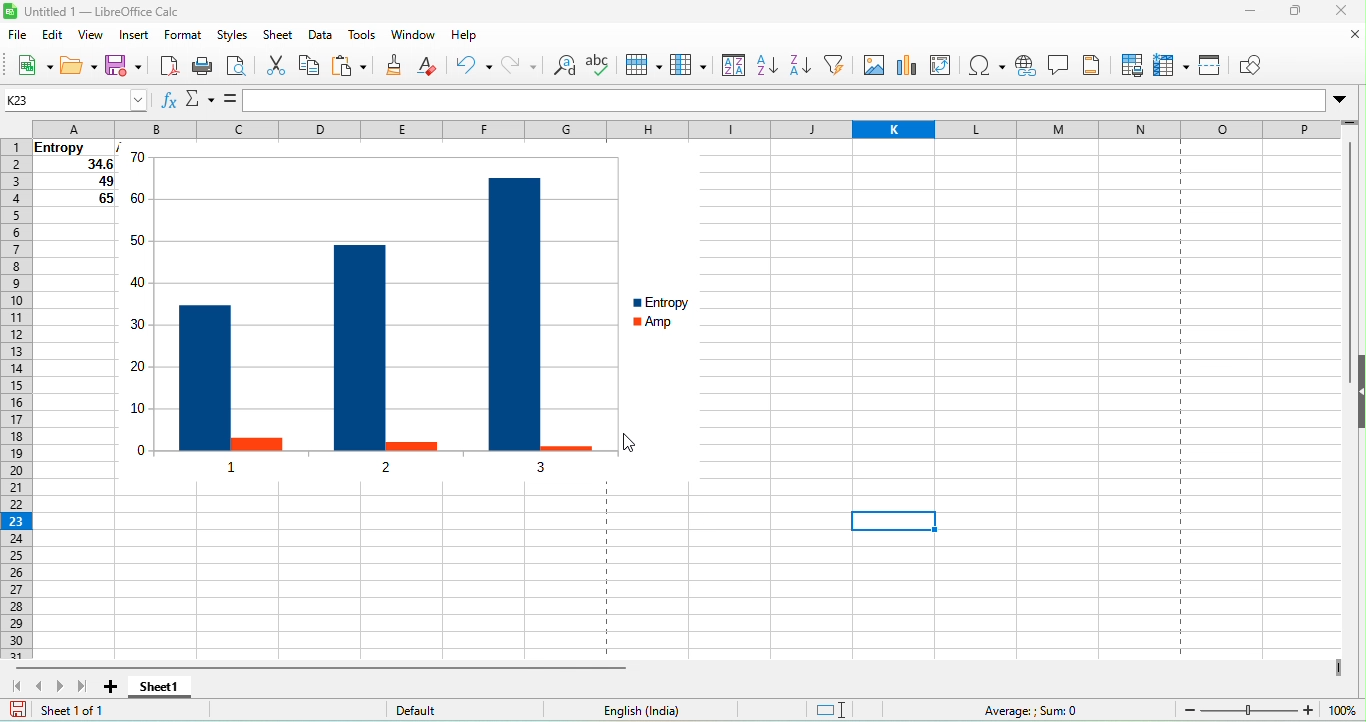 This screenshot has width=1366, height=722. I want to click on help, so click(475, 37).